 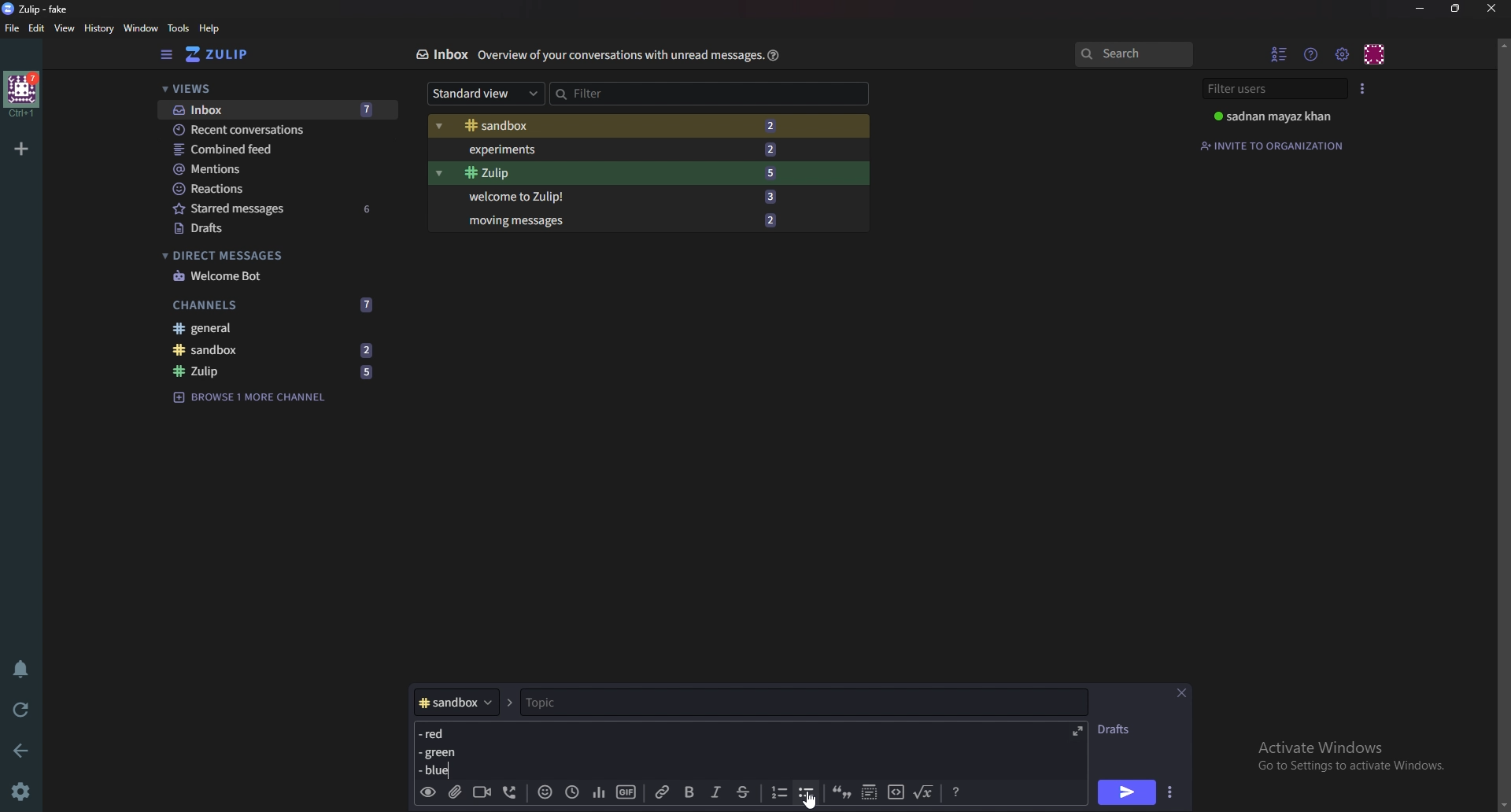 What do you see at coordinates (275, 230) in the screenshot?
I see `Drafts` at bounding box center [275, 230].